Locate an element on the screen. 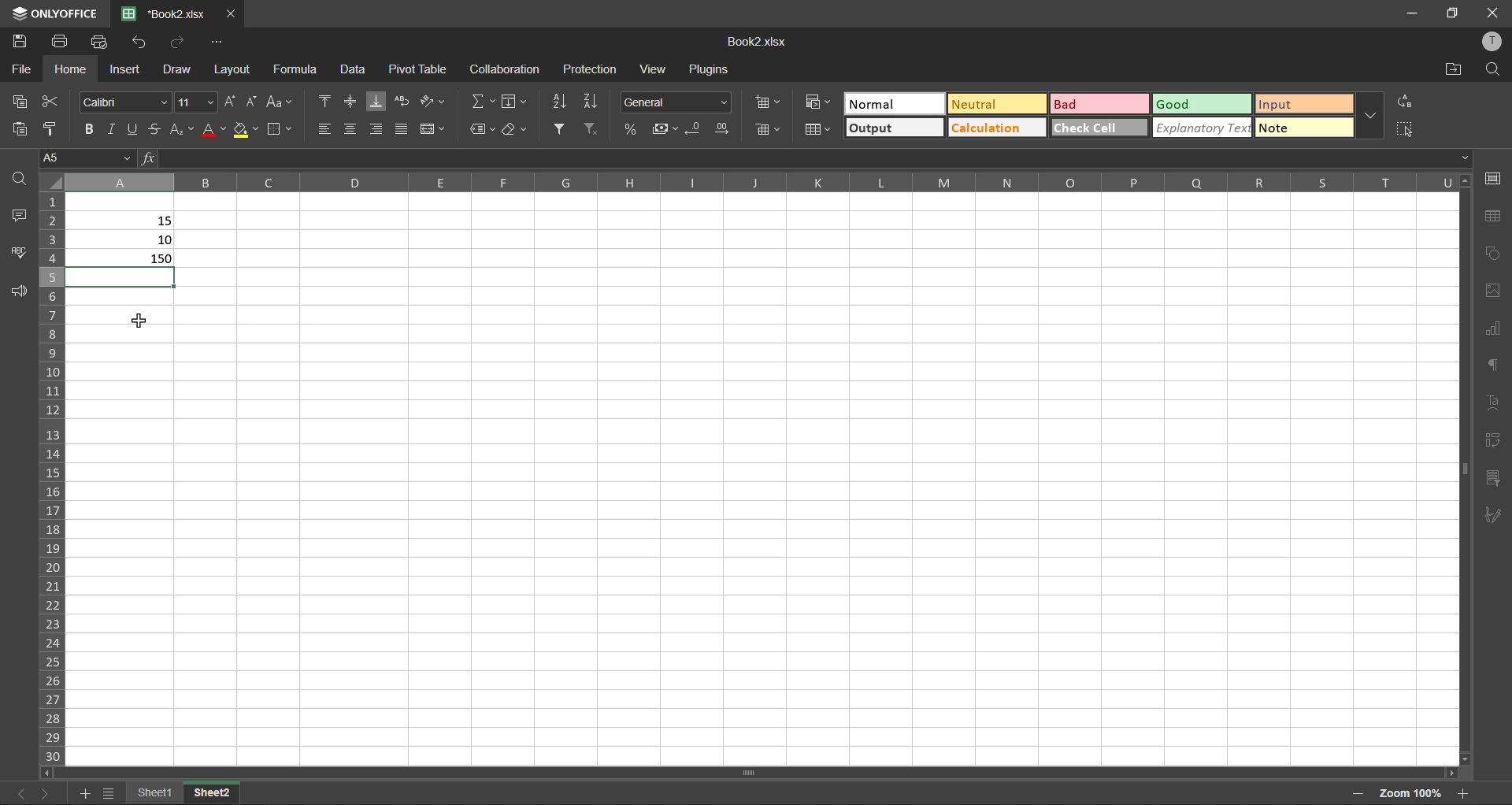 The width and height of the screenshot is (1512, 805). file is located at coordinates (20, 69).